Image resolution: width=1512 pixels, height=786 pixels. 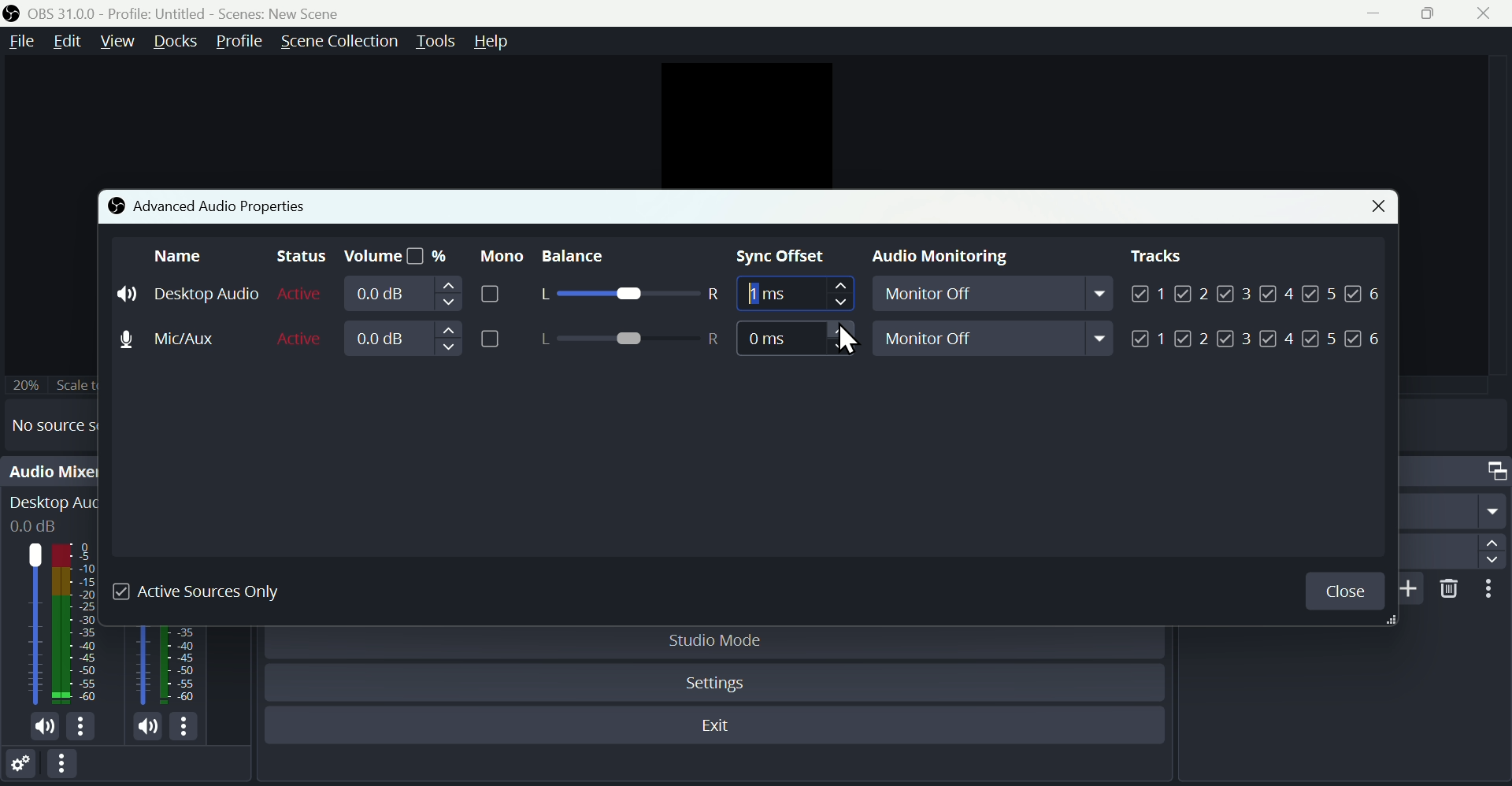 I want to click on (un)check Active sources only, so click(x=209, y=591).